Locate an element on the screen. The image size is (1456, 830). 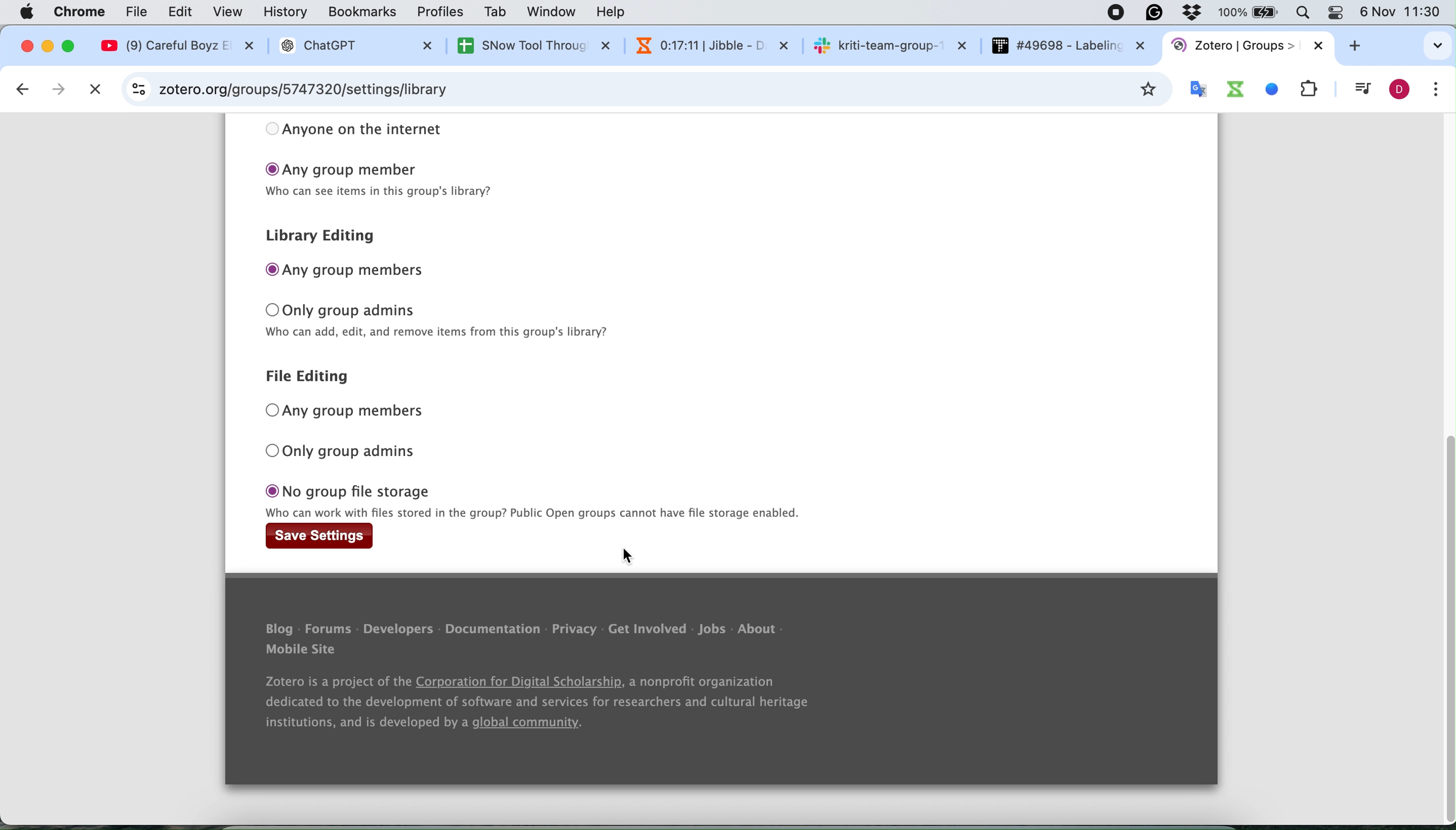
Search Bar is located at coordinates (1300, 11).